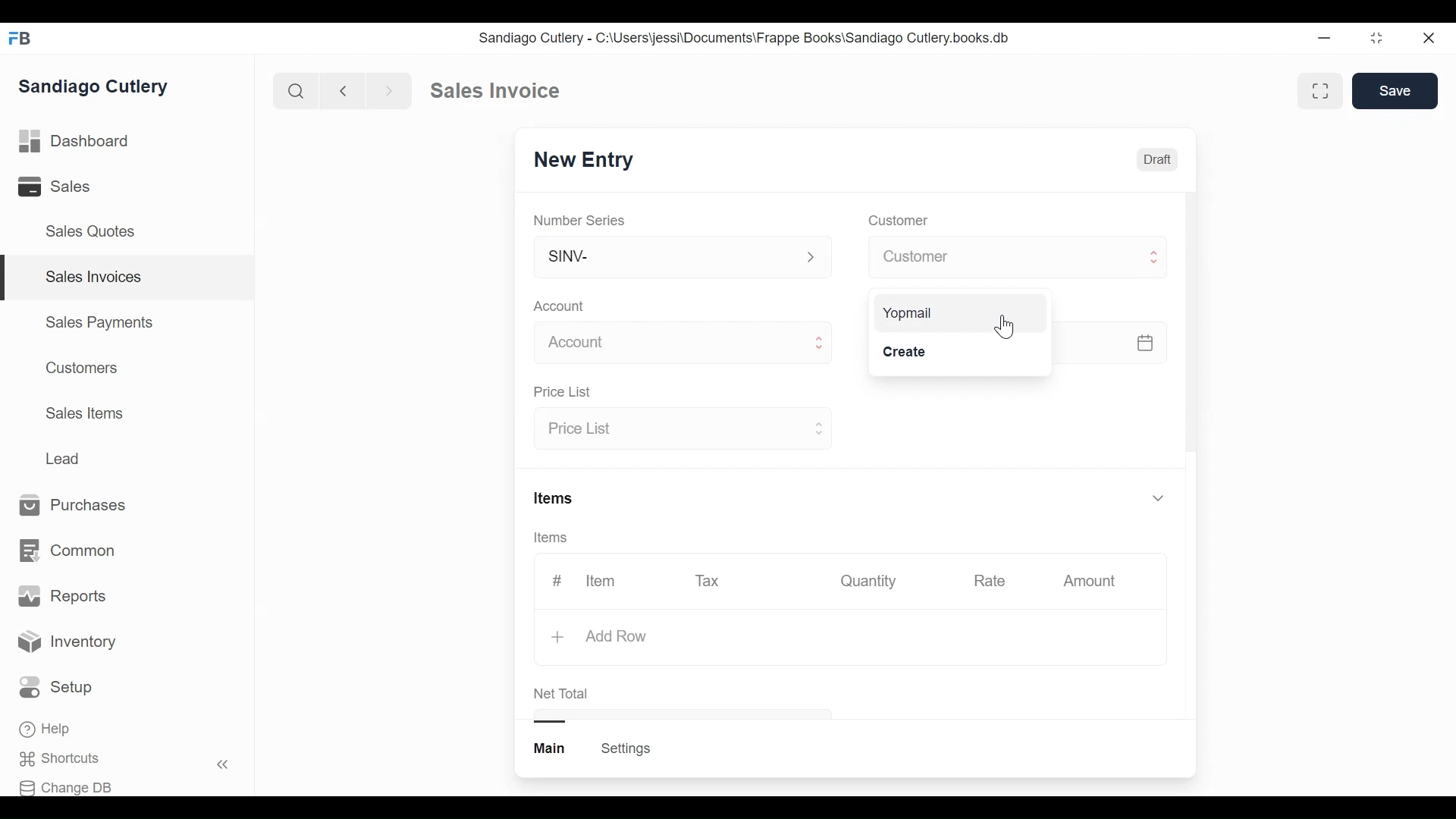 The height and width of the screenshot is (819, 1456). What do you see at coordinates (96, 232) in the screenshot?
I see `Sales Quotes` at bounding box center [96, 232].